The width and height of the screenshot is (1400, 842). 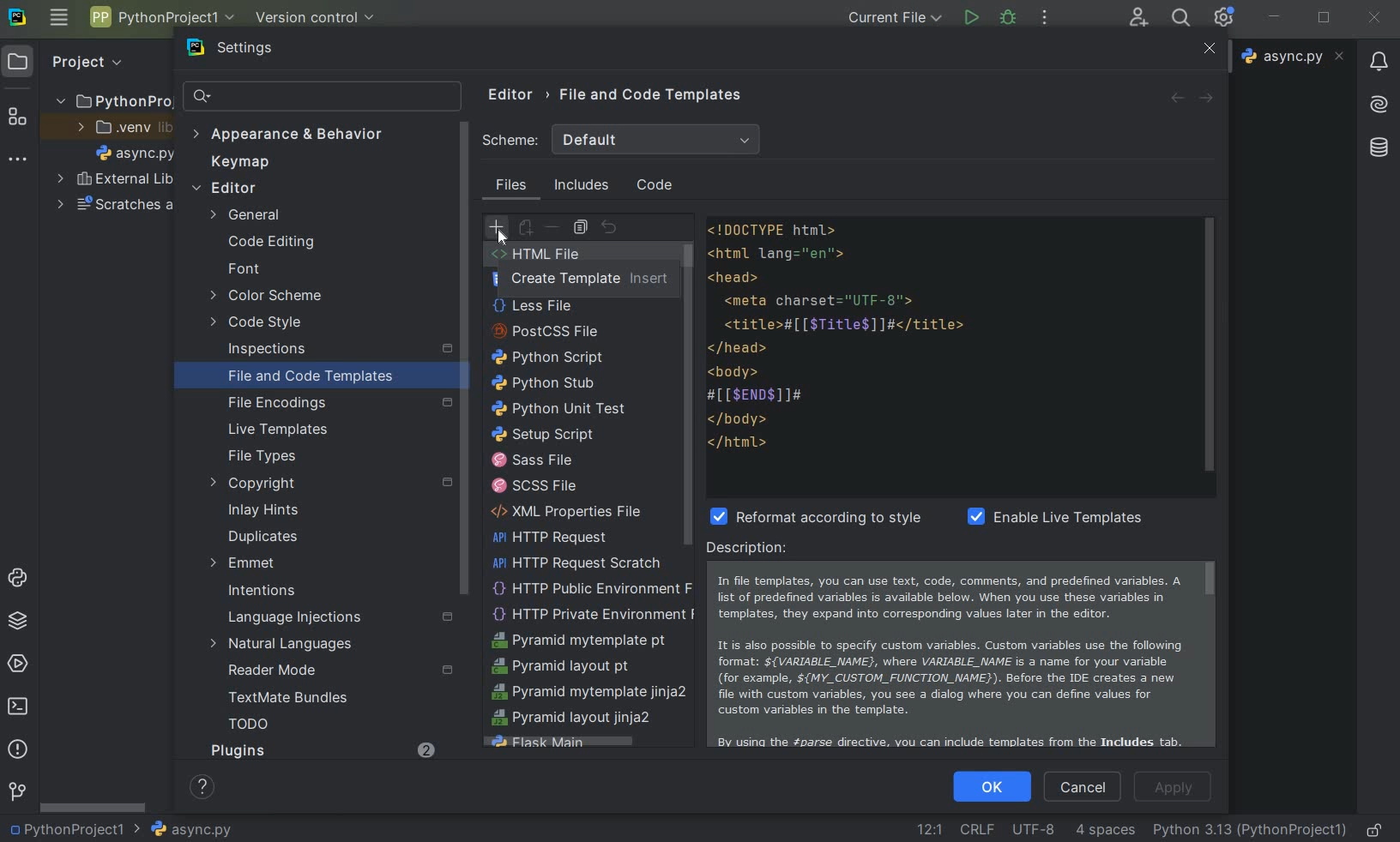 I want to click on ok, so click(x=995, y=786).